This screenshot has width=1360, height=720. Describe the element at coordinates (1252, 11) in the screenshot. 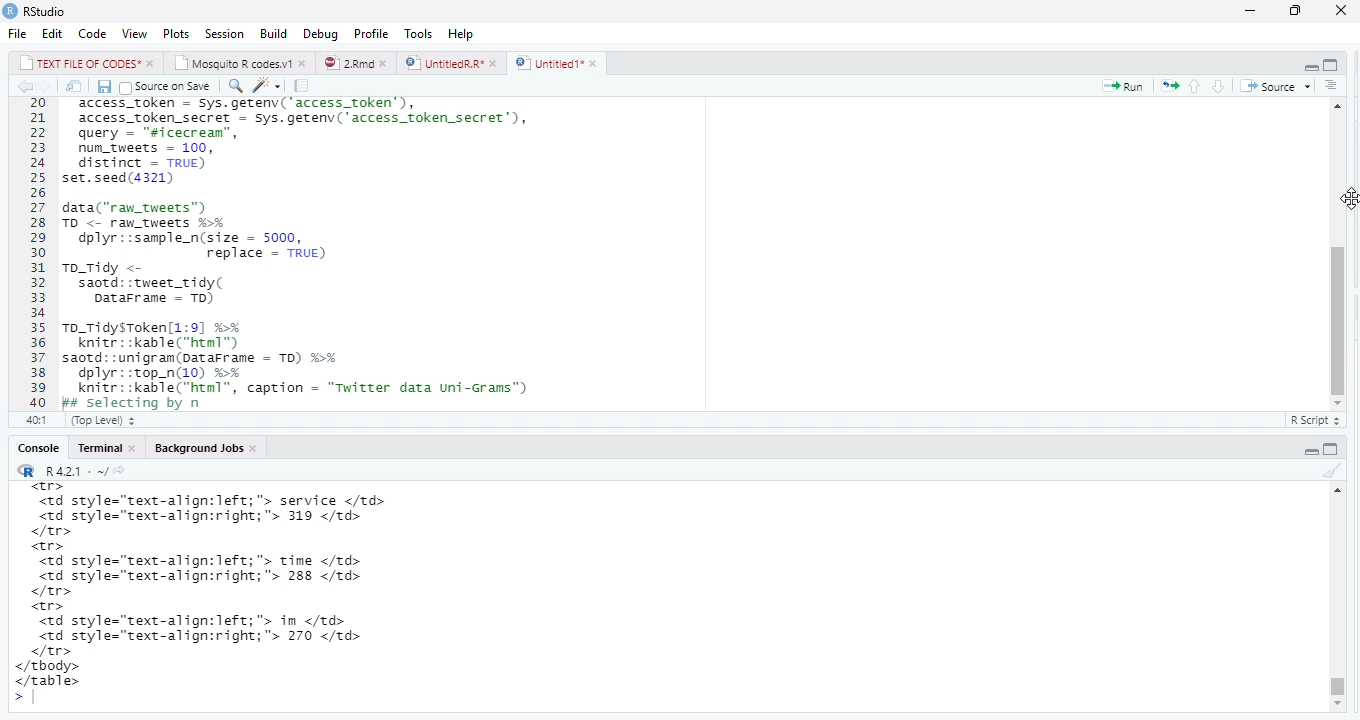

I see `minimize` at that location.